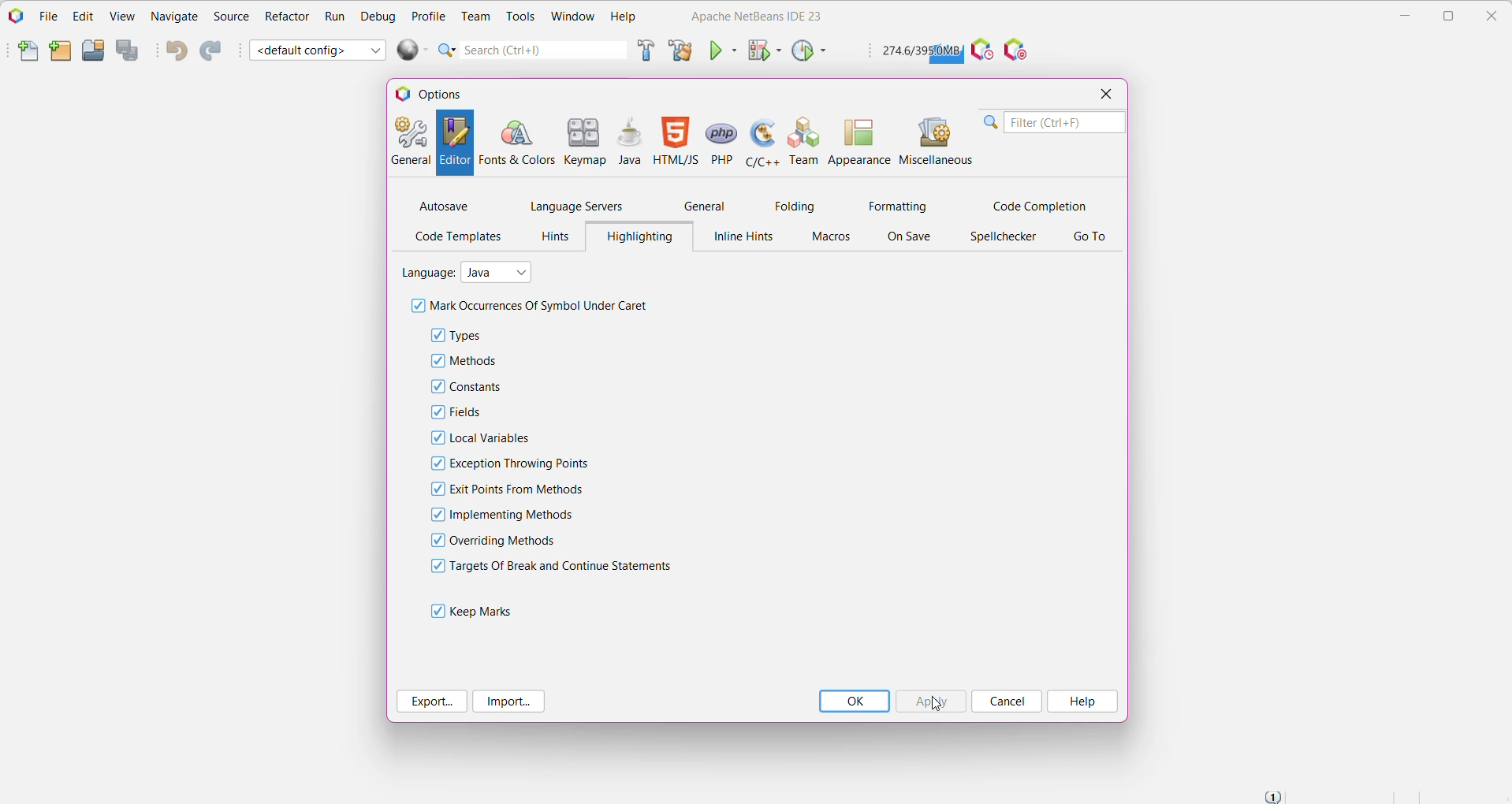  Describe the element at coordinates (1037, 204) in the screenshot. I see `Code Completion` at that location.